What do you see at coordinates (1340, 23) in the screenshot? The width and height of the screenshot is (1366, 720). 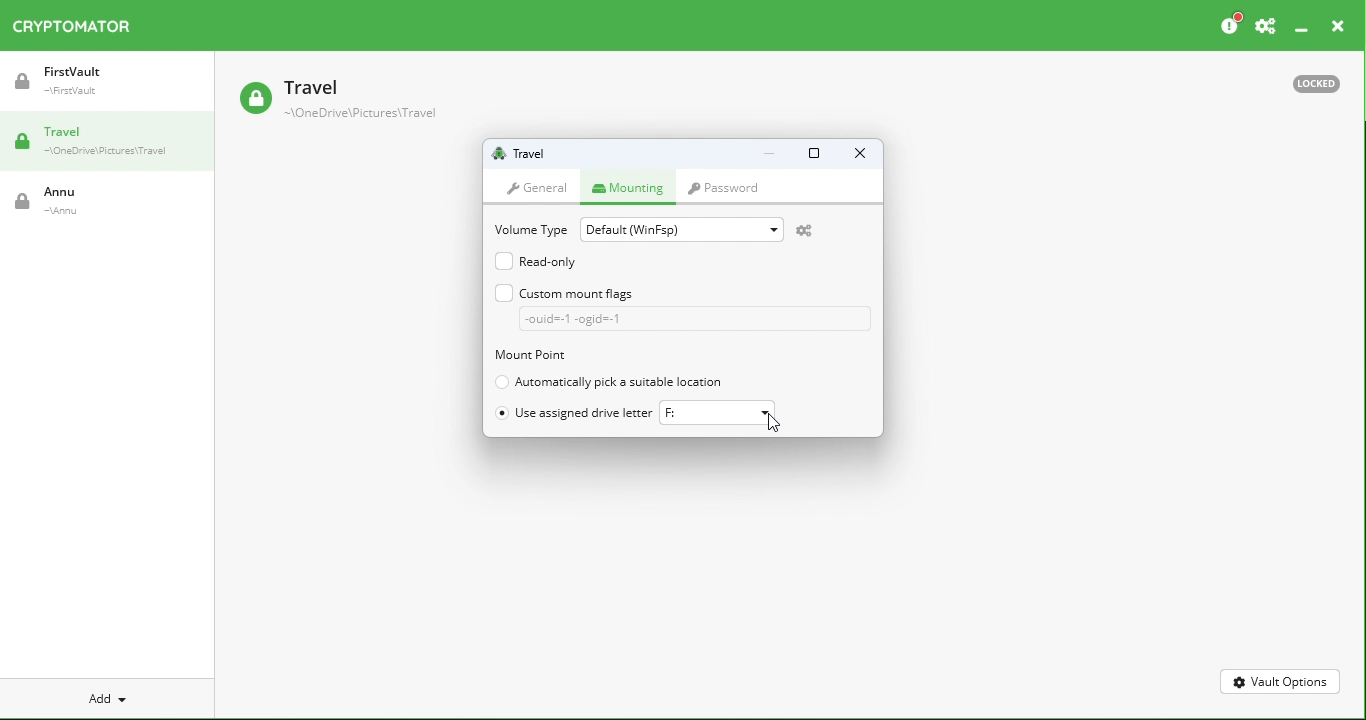 I see `close` at bounding box center [1340, 23].